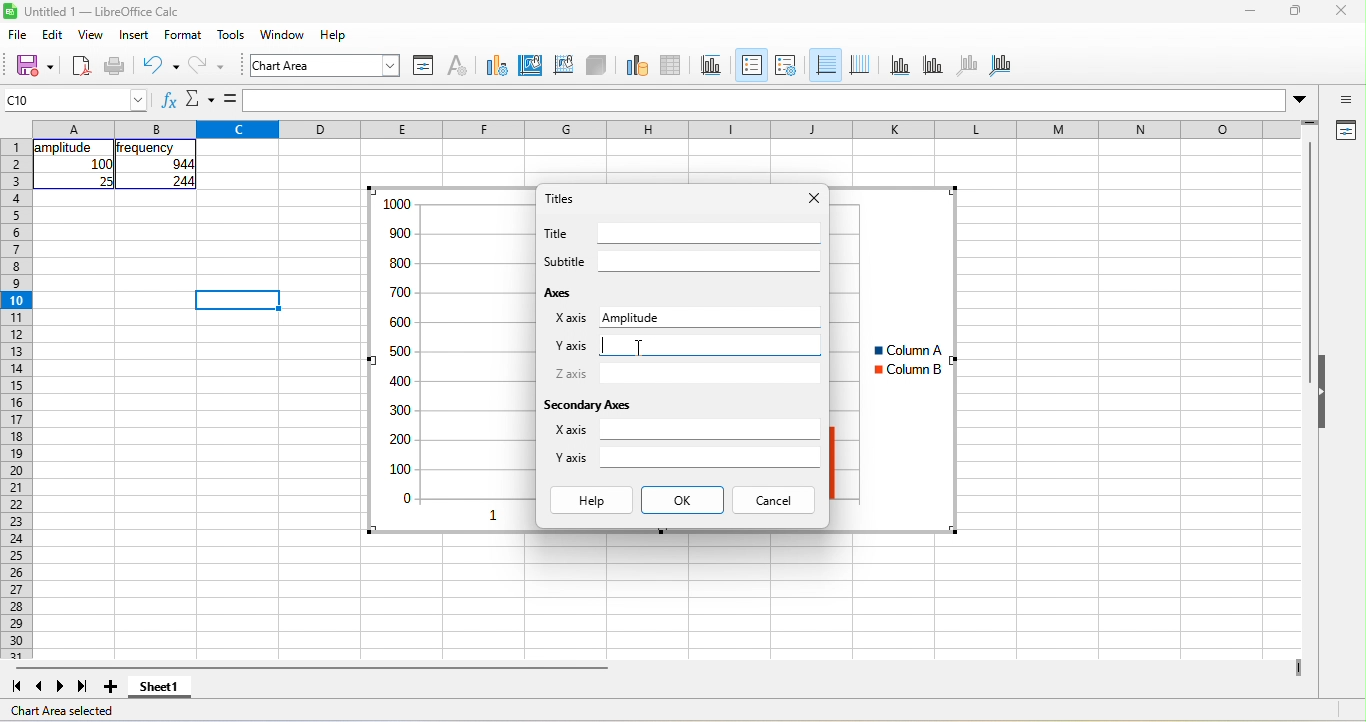 The image size is (1366, 722). Describe the element at coordinates (115, 67) in the screenshot. I see `print` at that location.